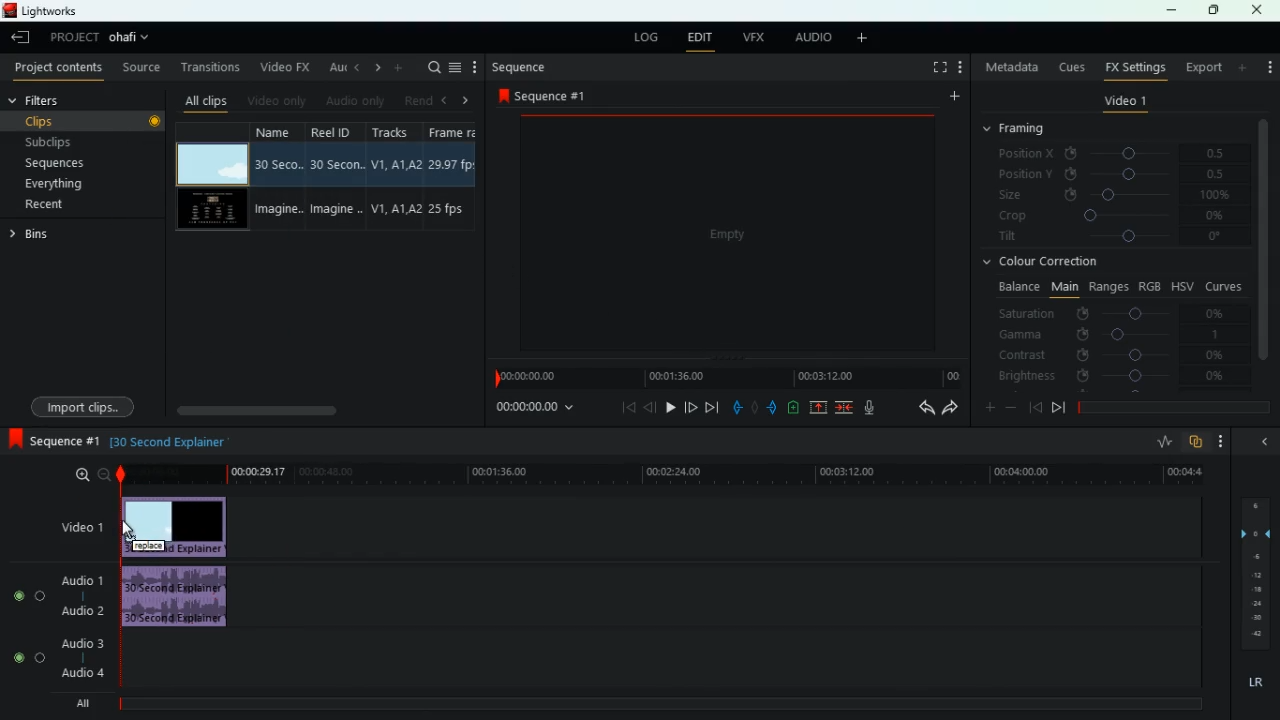  What do you see at coordinates (466, 101) in the screenshot?
I see `right` at bounding box center [466, 101].